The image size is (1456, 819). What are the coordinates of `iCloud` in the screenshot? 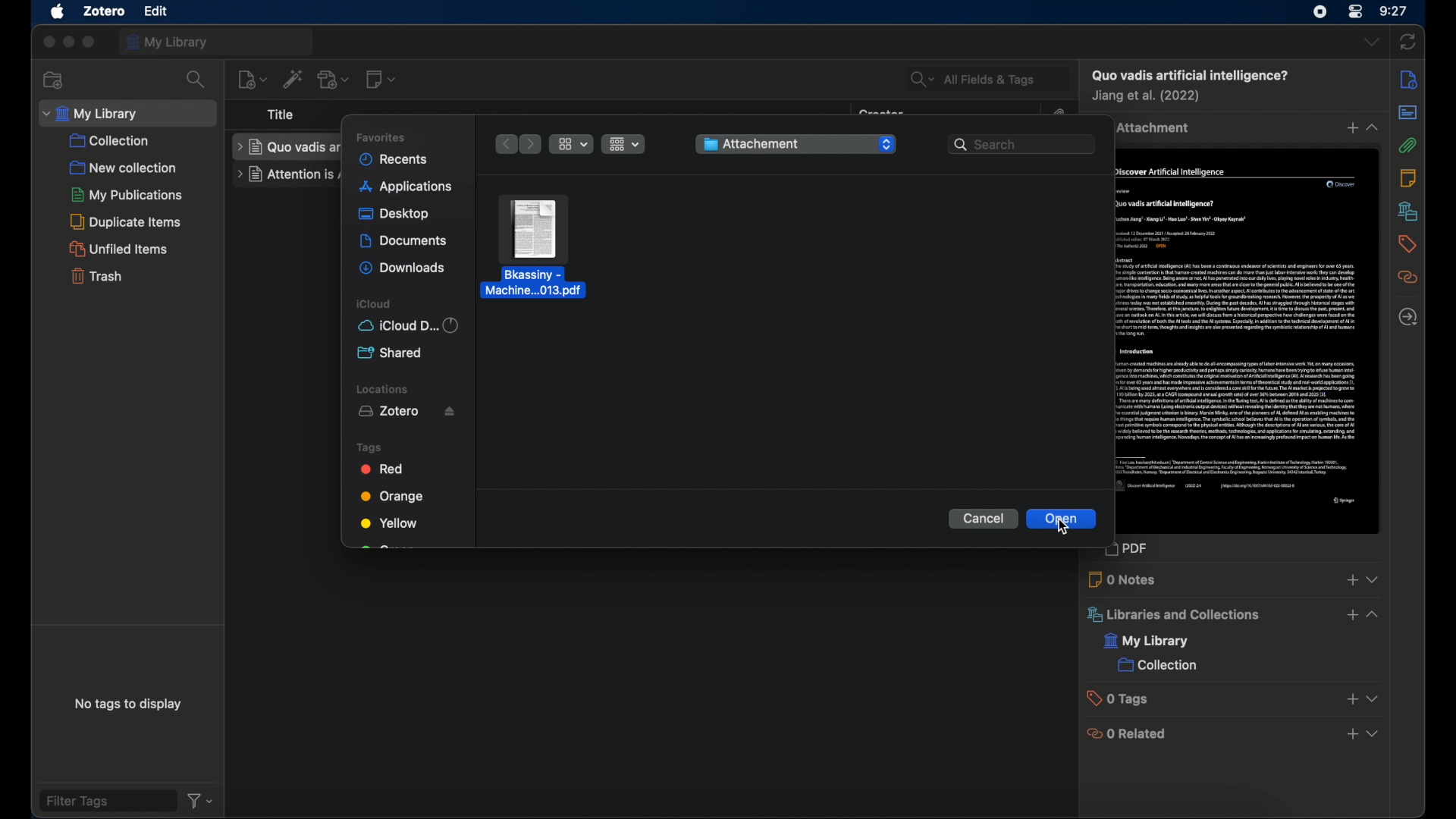 It's located at (412, 325).